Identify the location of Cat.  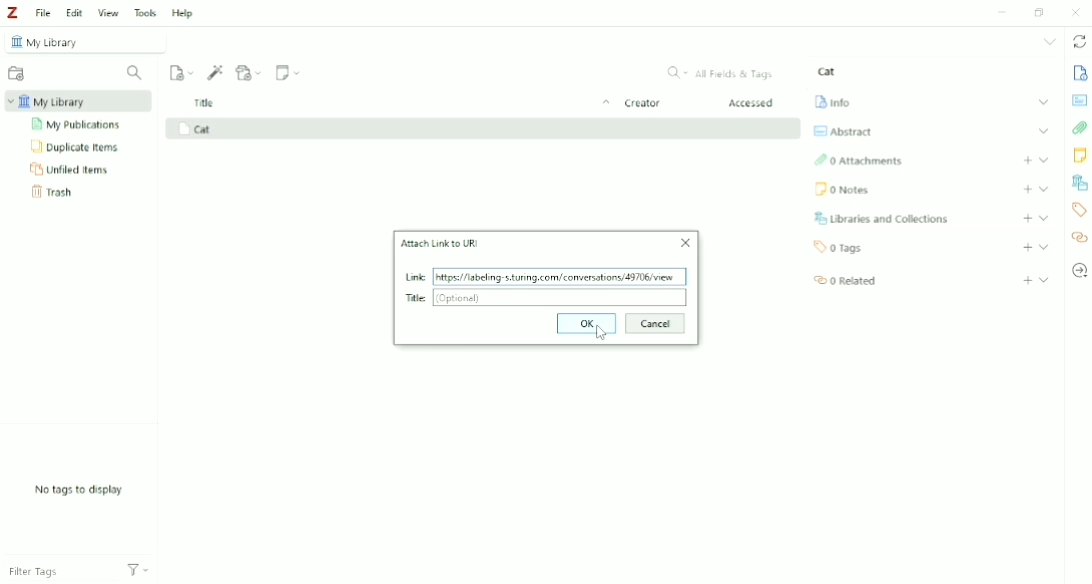
(195, 129).